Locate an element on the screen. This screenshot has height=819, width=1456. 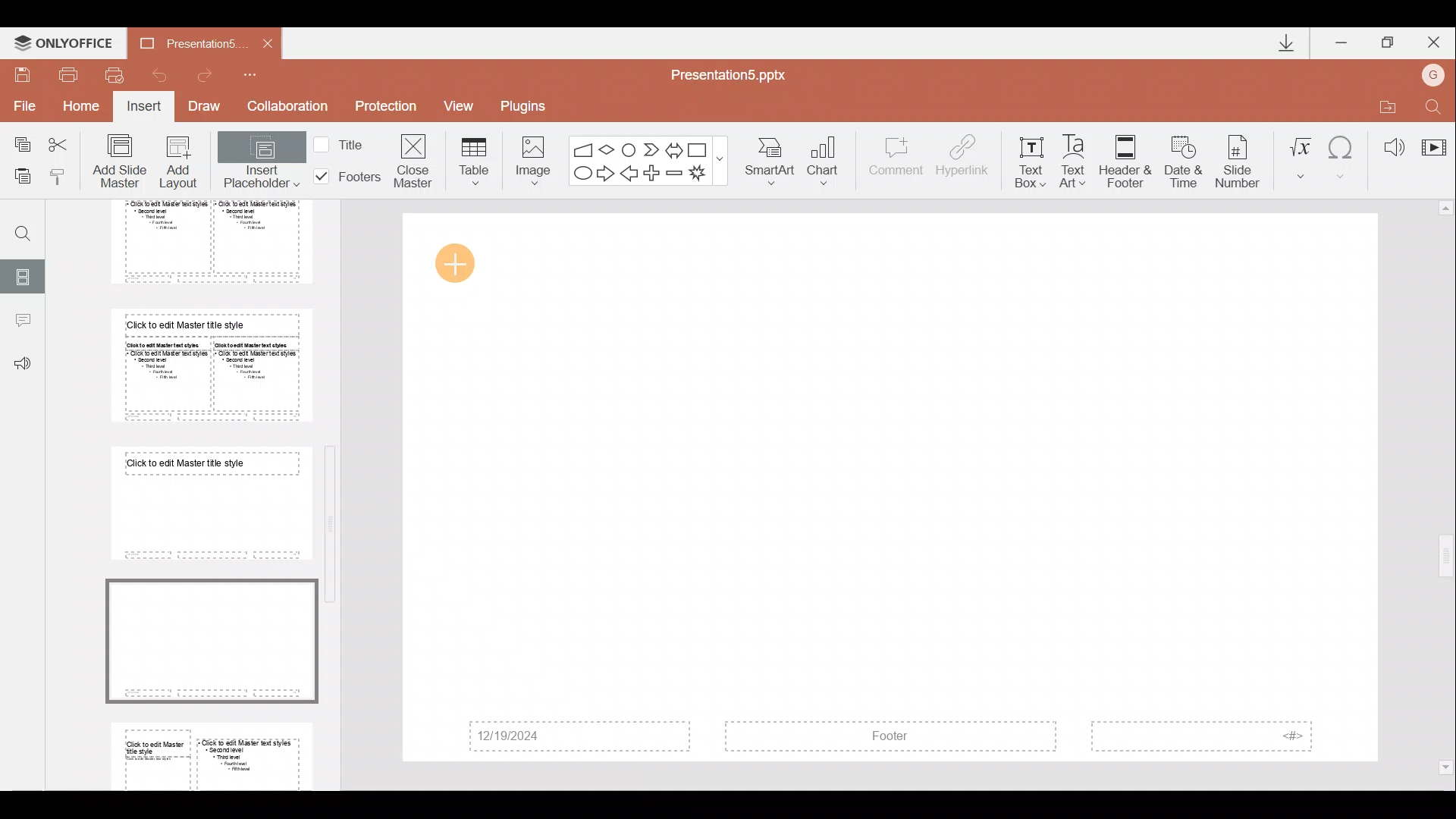
SmartArt is located at coordinates (773, 162).